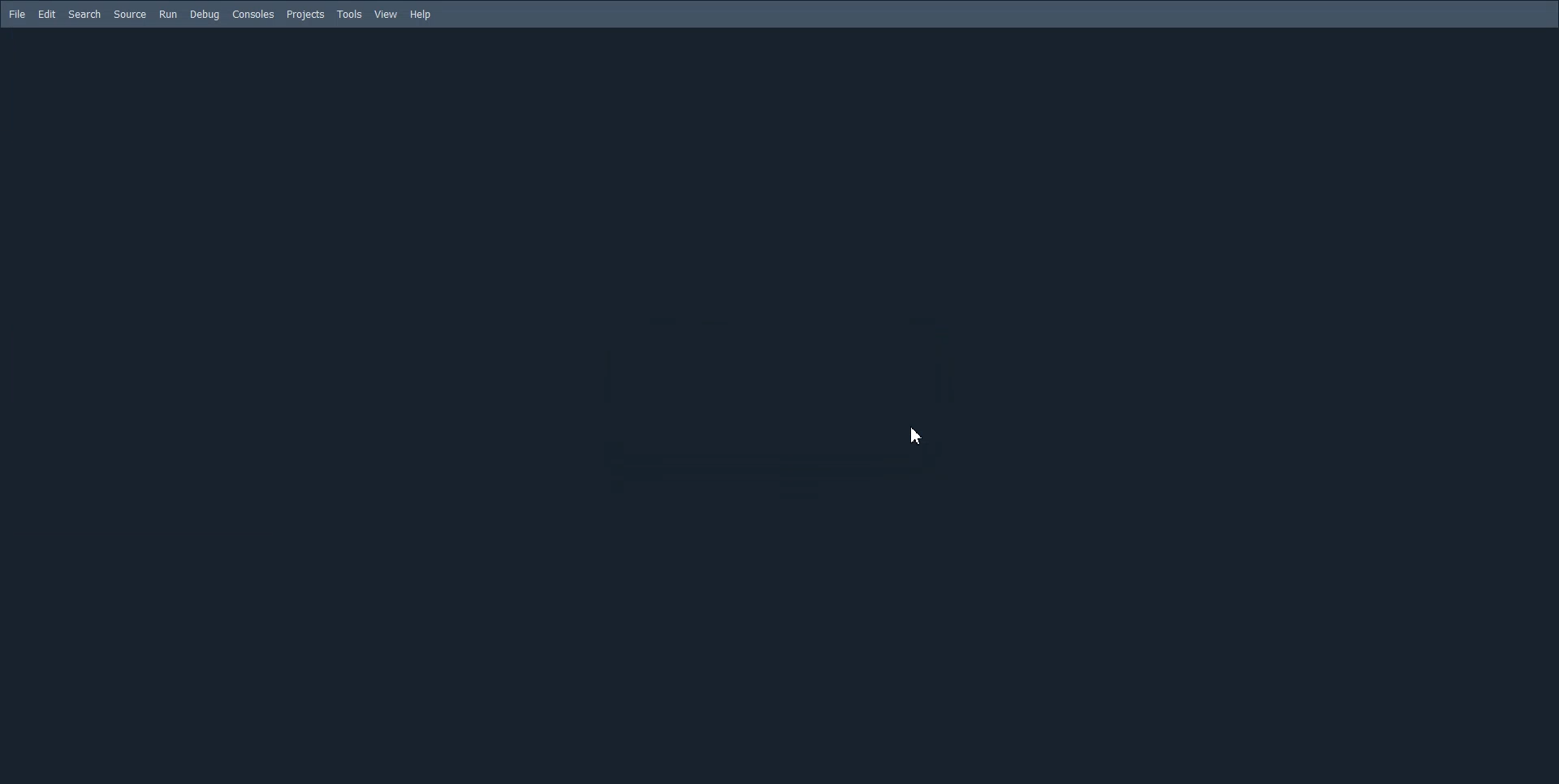 The image size is (1559, 784). I want to click on Cursor, so click(920, 437).